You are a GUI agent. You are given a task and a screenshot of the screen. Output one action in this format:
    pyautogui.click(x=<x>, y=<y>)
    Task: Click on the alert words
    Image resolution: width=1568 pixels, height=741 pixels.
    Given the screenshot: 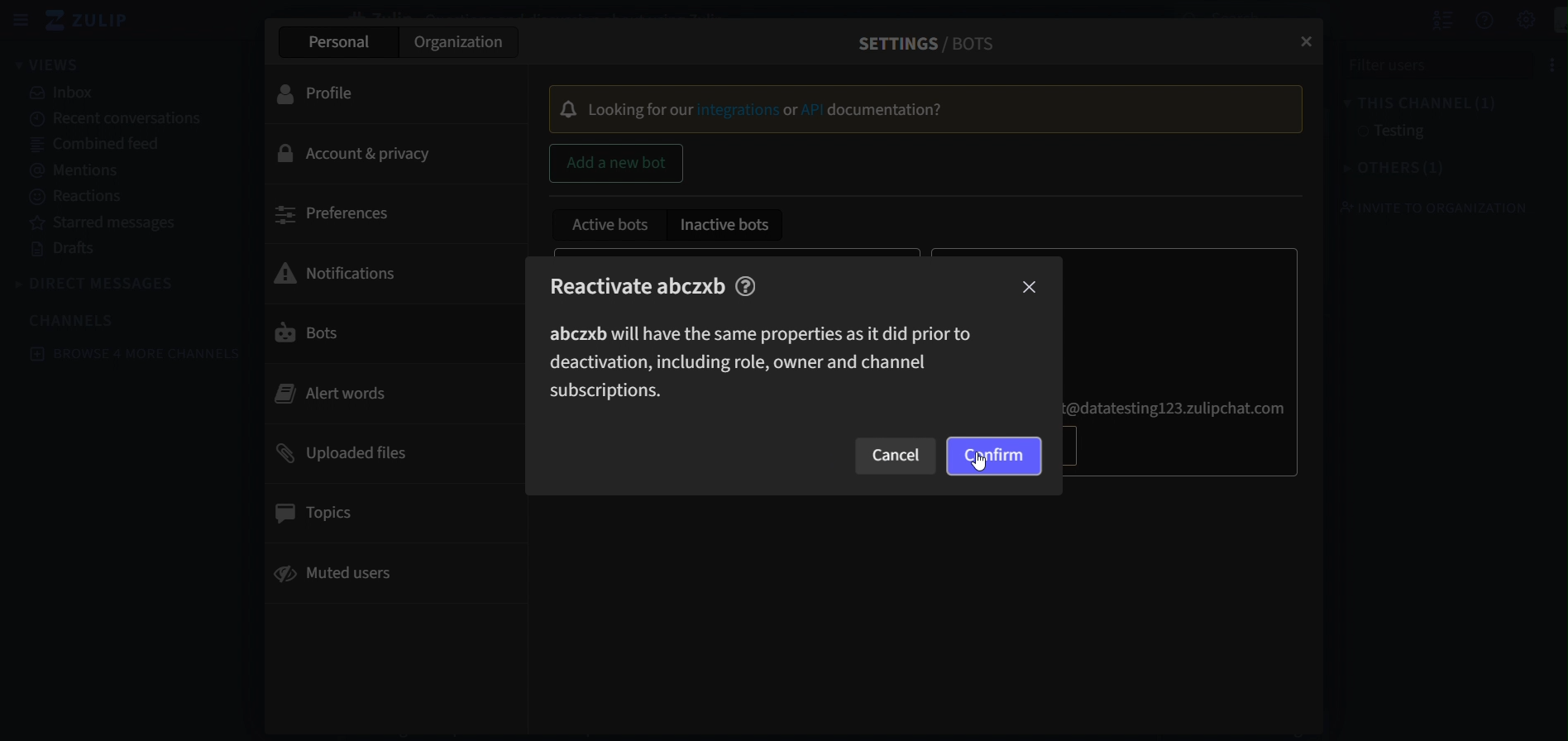 What is the action you would take?
    pyautogui.click(x=341, y=392)
    